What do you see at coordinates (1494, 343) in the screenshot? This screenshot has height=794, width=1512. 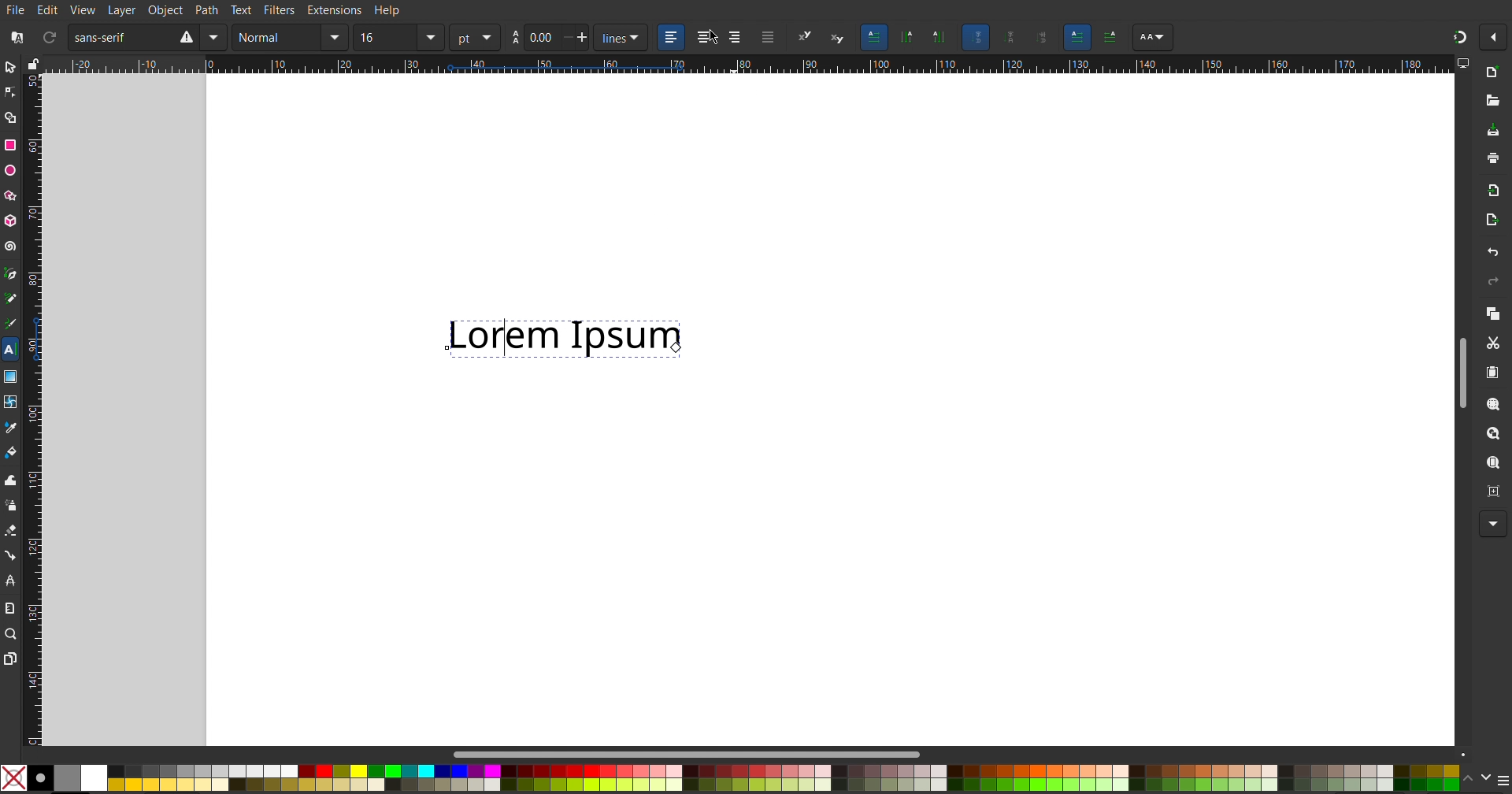 I see `Cut` at bounding box center [1494, 343].